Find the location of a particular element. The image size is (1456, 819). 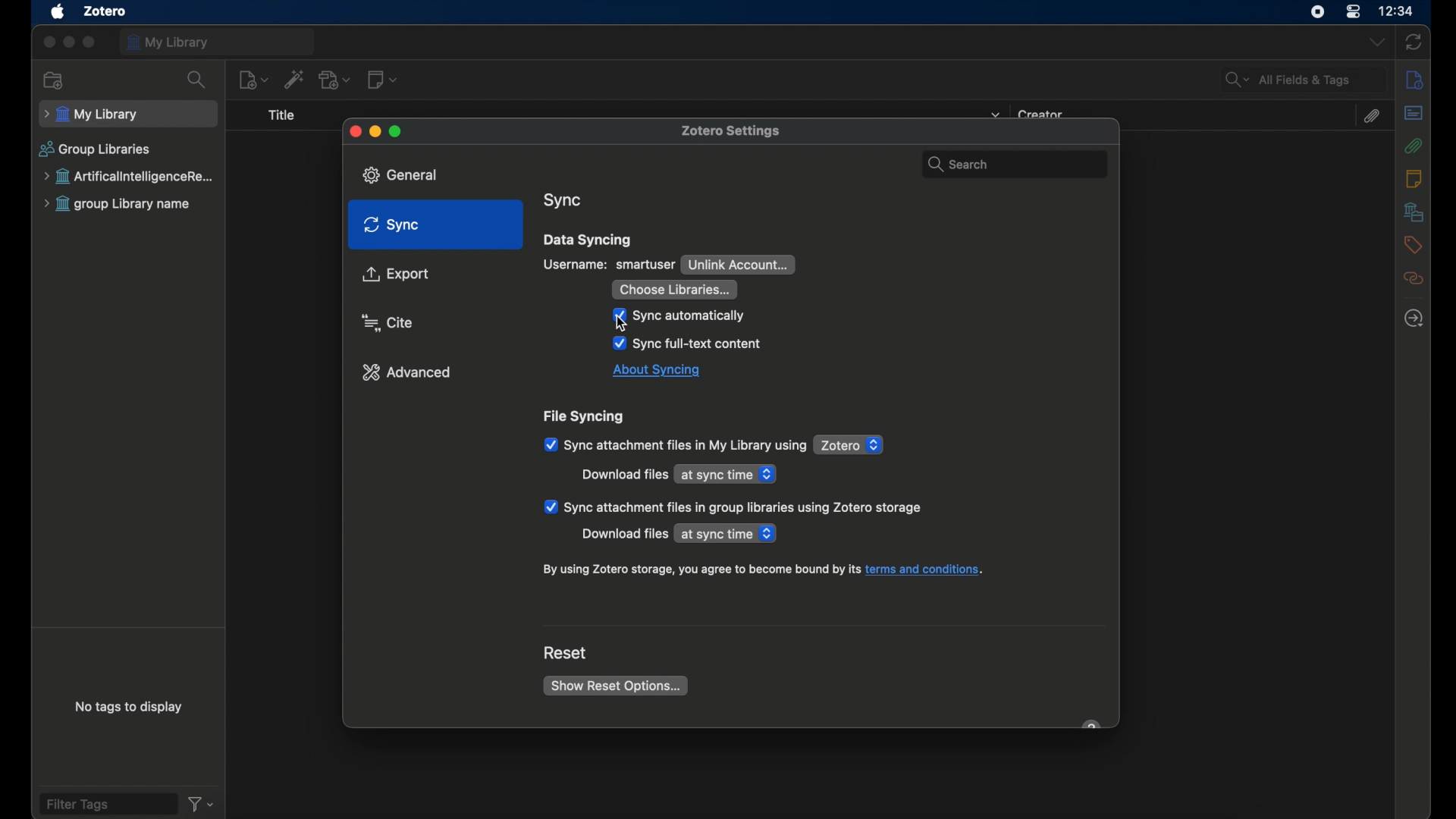

download files is located at coordinates (623, 535).